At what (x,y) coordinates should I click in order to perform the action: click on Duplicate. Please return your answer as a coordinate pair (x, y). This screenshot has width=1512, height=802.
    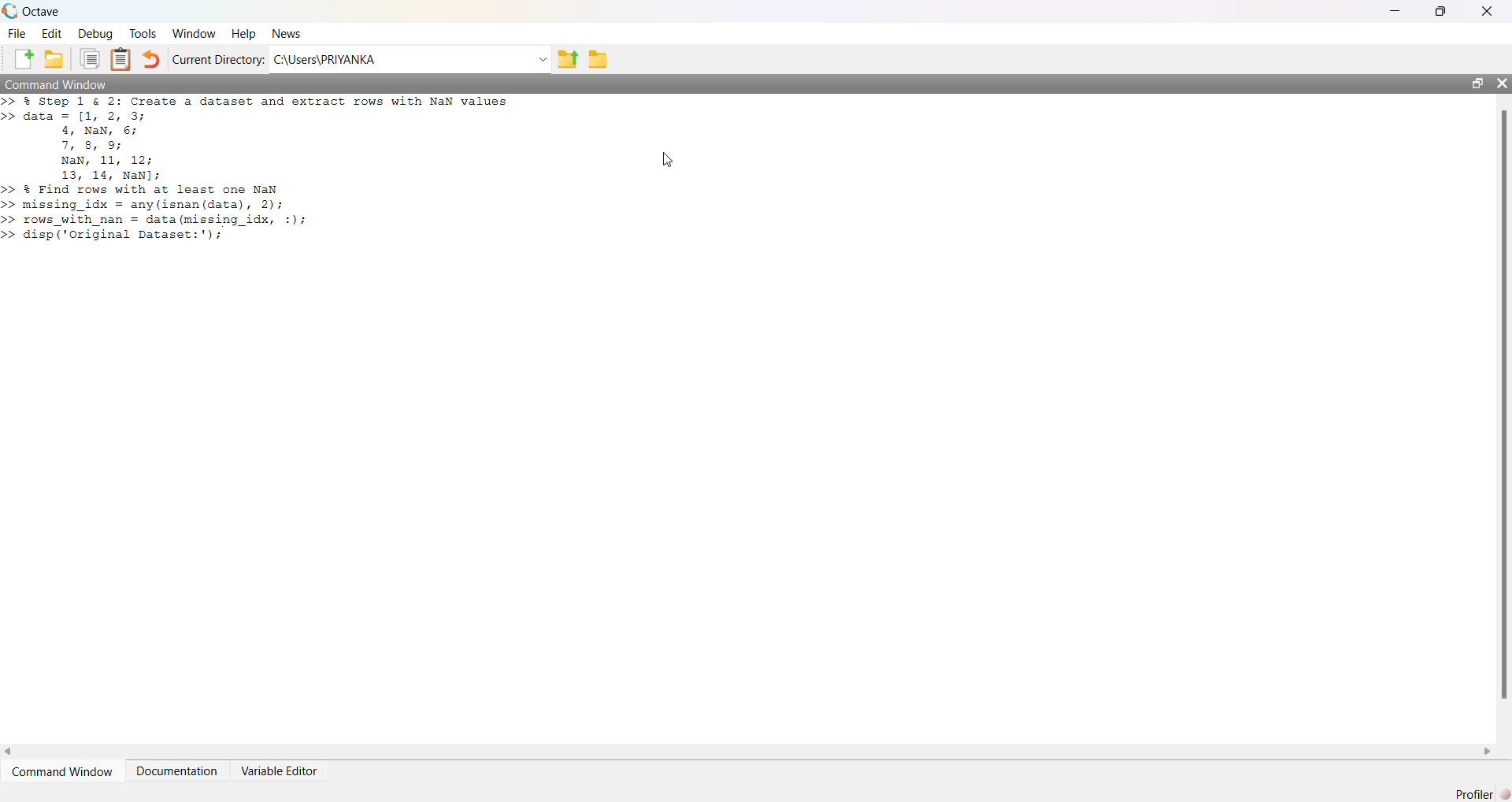
    Looking at the image, I should click on (90, 59).